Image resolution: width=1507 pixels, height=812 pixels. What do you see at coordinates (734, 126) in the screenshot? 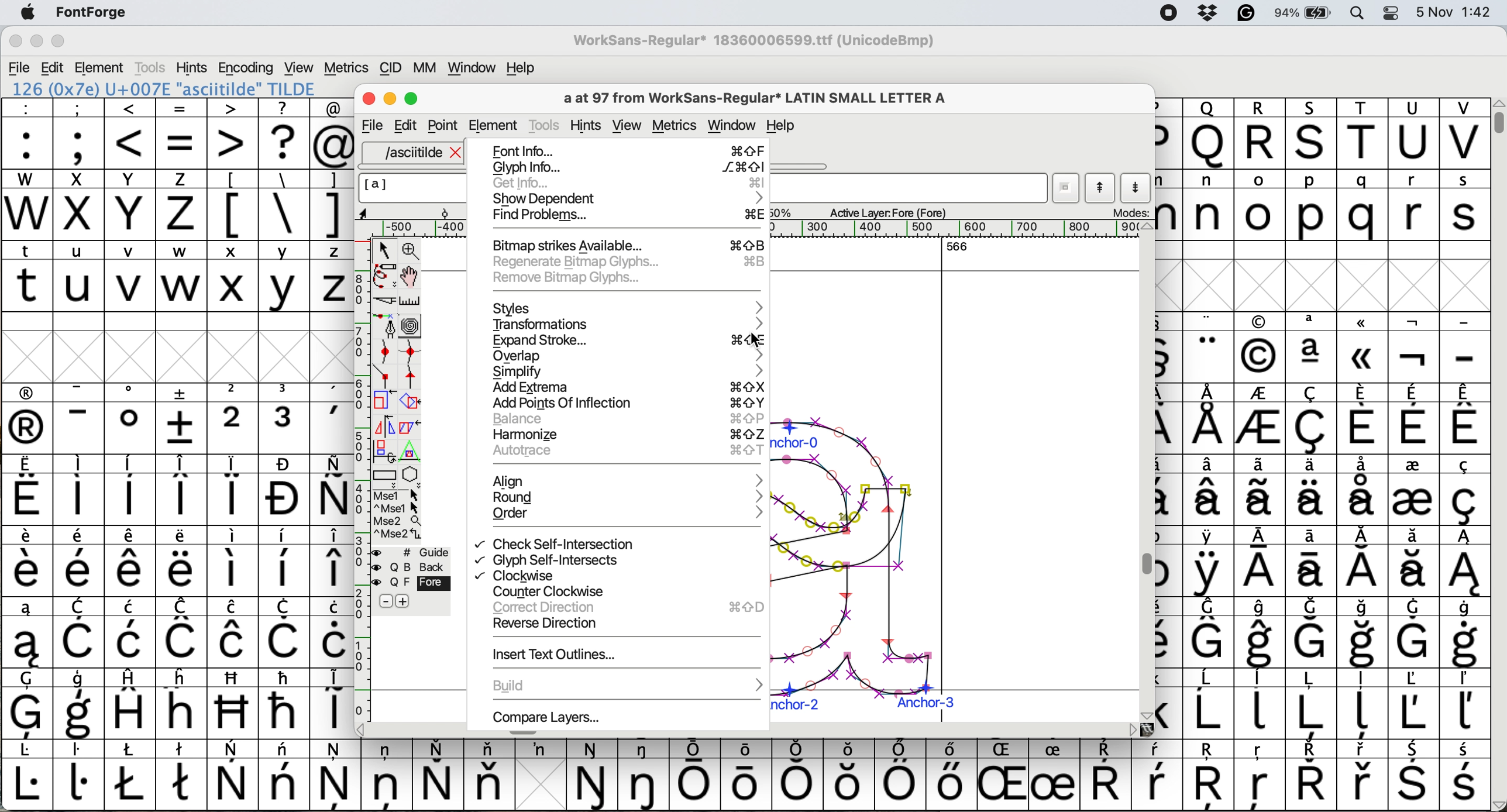
I see `window` at bounding box center [734, 126].